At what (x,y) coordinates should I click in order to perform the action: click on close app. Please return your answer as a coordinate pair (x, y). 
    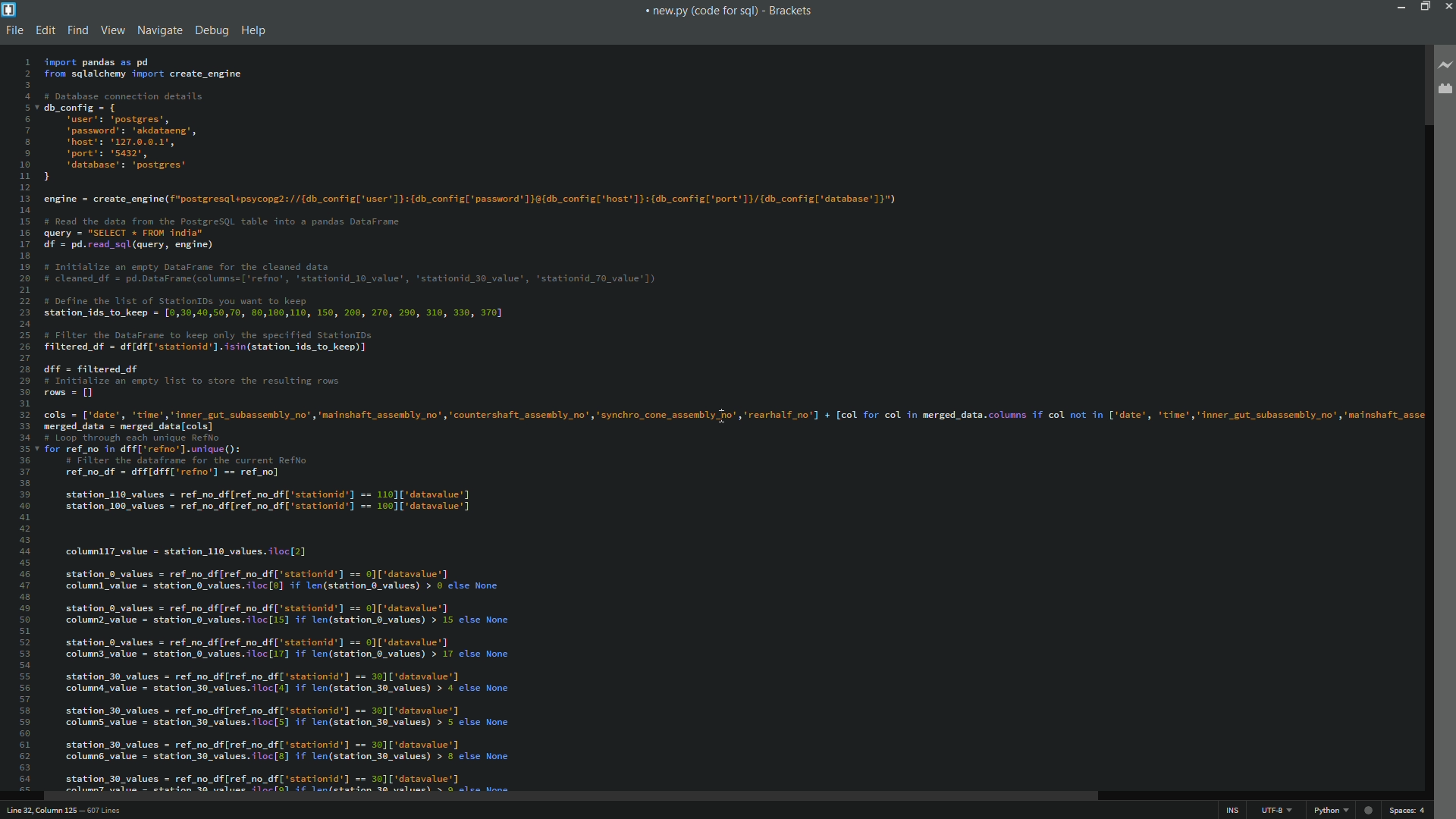
    Looking at the image, I should click on (1447, 6).